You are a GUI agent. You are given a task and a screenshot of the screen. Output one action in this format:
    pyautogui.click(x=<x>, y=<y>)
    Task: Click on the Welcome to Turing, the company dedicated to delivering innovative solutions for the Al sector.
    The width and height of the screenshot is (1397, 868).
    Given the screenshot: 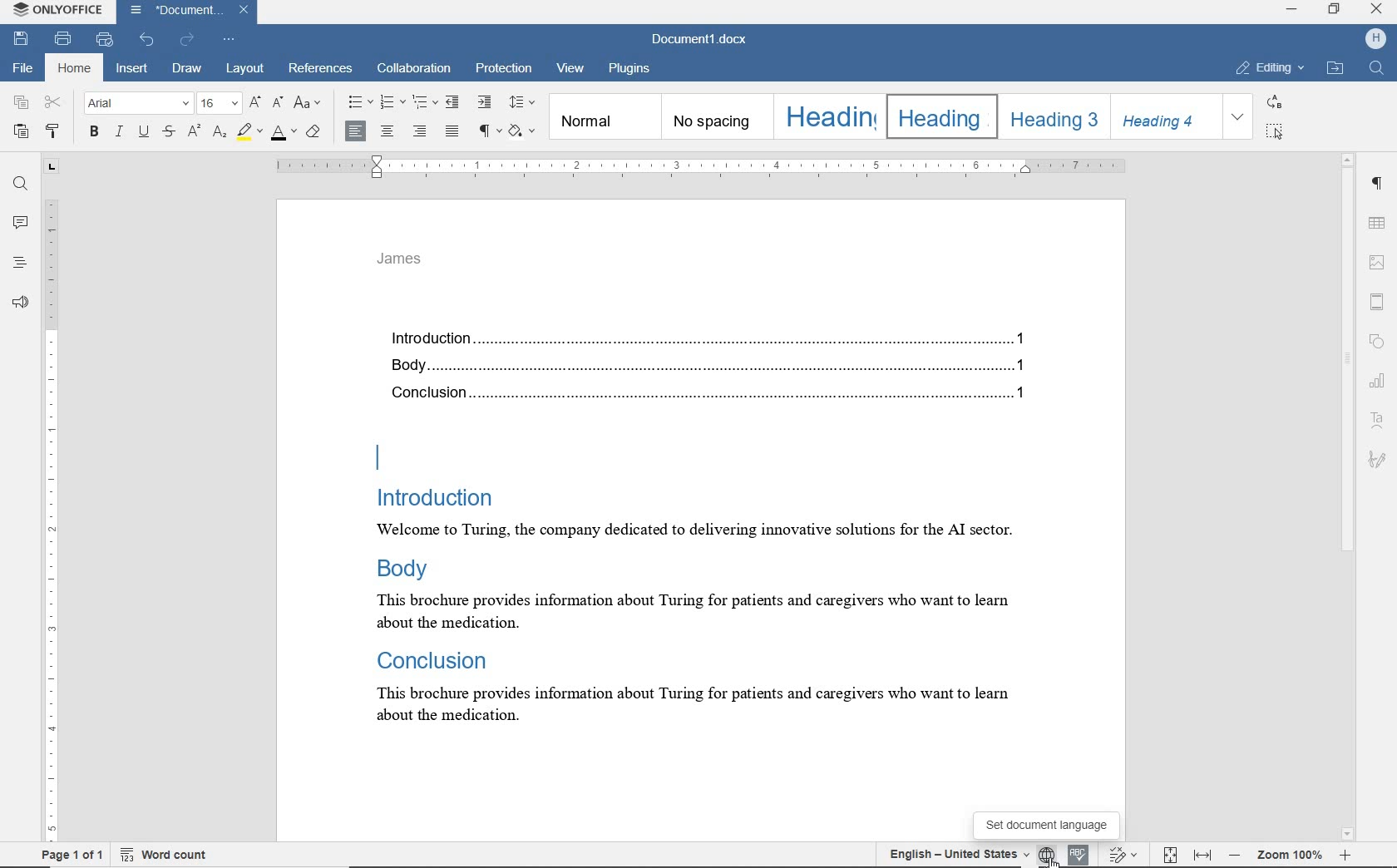 What is the action you would take?
    pyautogui.click(x=694, y=530)
    